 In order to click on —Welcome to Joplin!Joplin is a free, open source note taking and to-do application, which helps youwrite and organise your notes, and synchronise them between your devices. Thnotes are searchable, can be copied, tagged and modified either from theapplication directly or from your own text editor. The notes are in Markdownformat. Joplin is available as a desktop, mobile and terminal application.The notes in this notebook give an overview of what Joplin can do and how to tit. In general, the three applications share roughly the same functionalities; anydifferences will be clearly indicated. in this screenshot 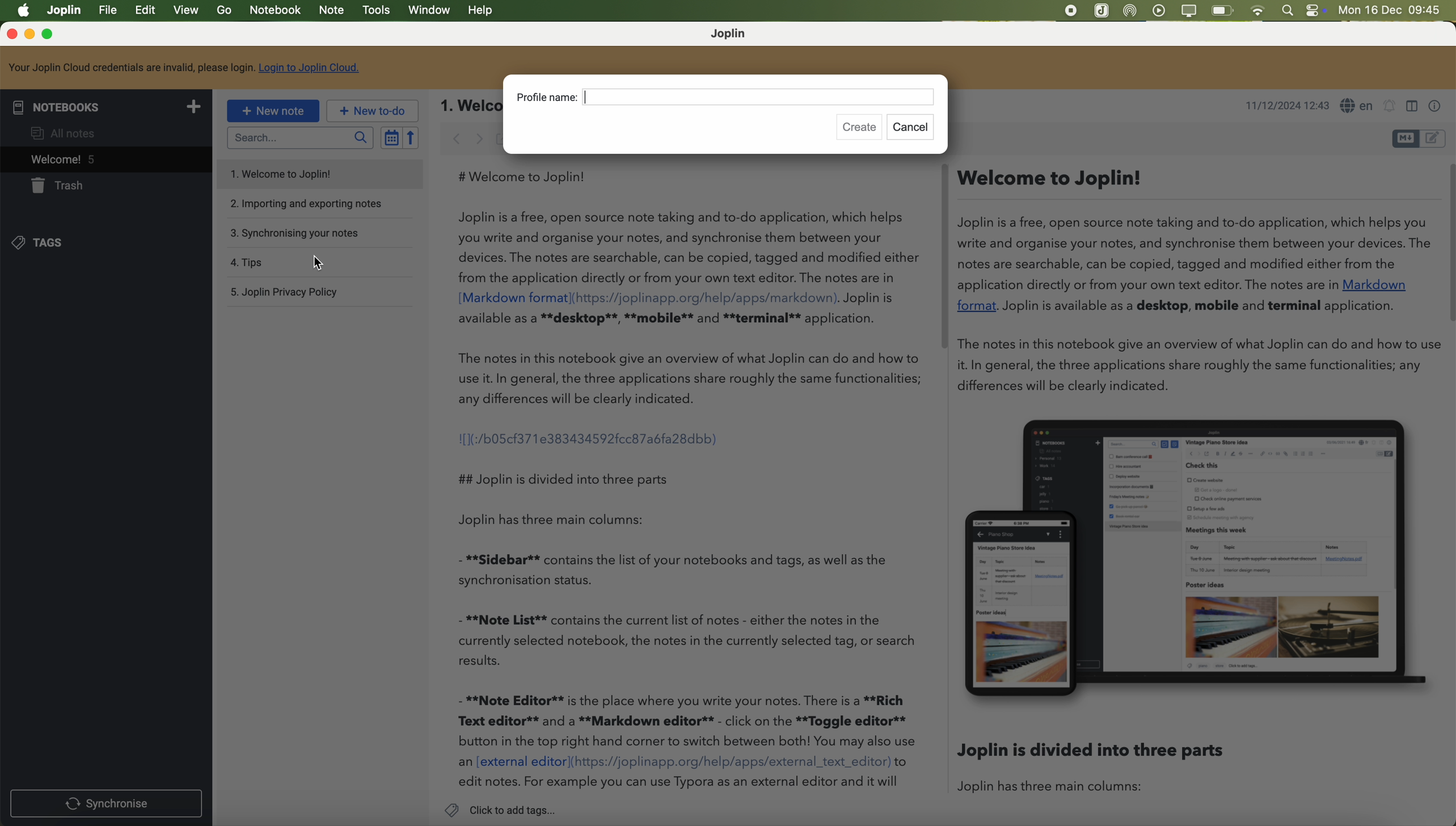, I will do `click(1192, 283)`.